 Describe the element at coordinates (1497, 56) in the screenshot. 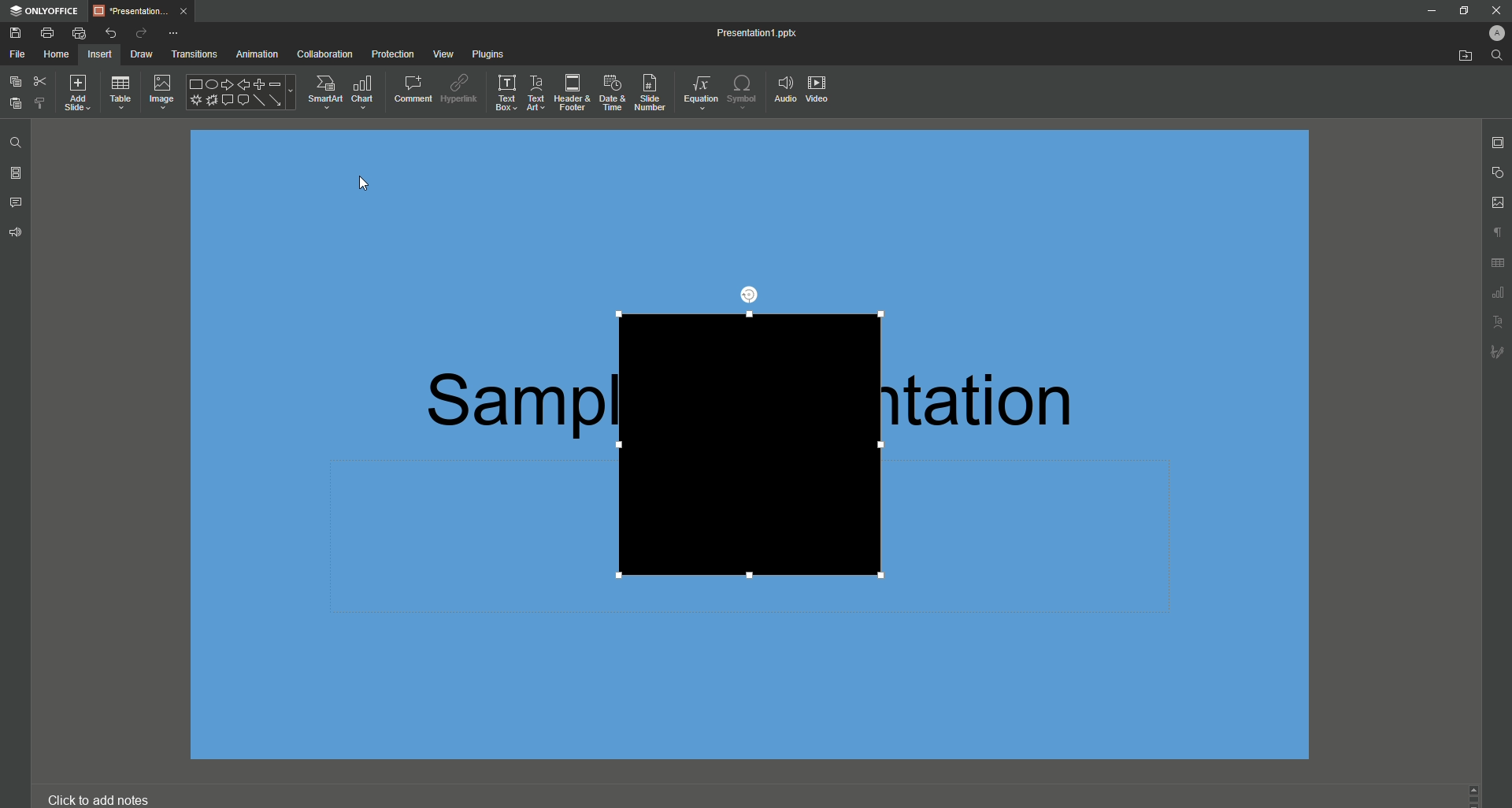

I see `Find` at that location.